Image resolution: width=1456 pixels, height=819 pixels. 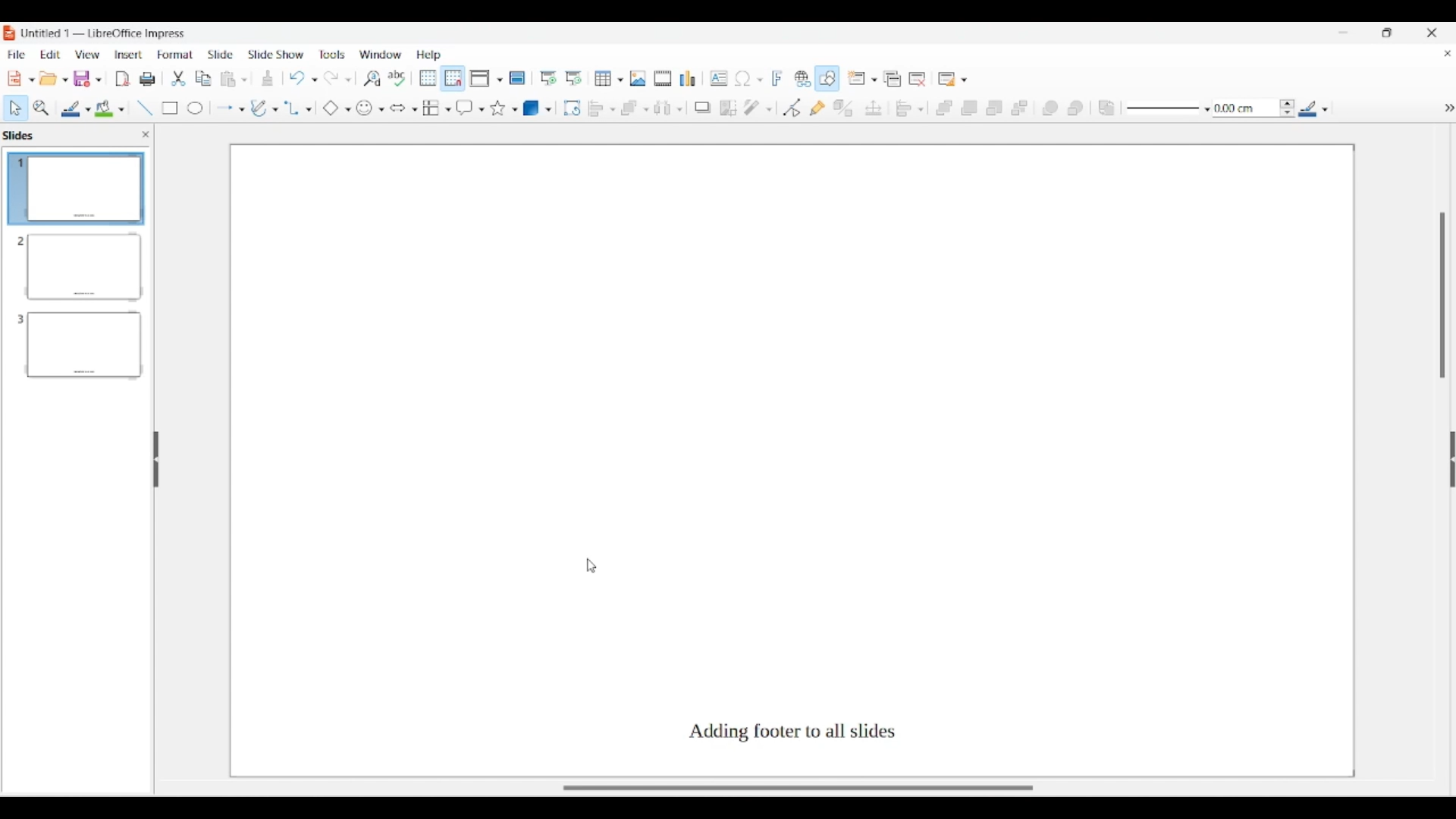 I want to click on Slider, so click(x=790, y=786).